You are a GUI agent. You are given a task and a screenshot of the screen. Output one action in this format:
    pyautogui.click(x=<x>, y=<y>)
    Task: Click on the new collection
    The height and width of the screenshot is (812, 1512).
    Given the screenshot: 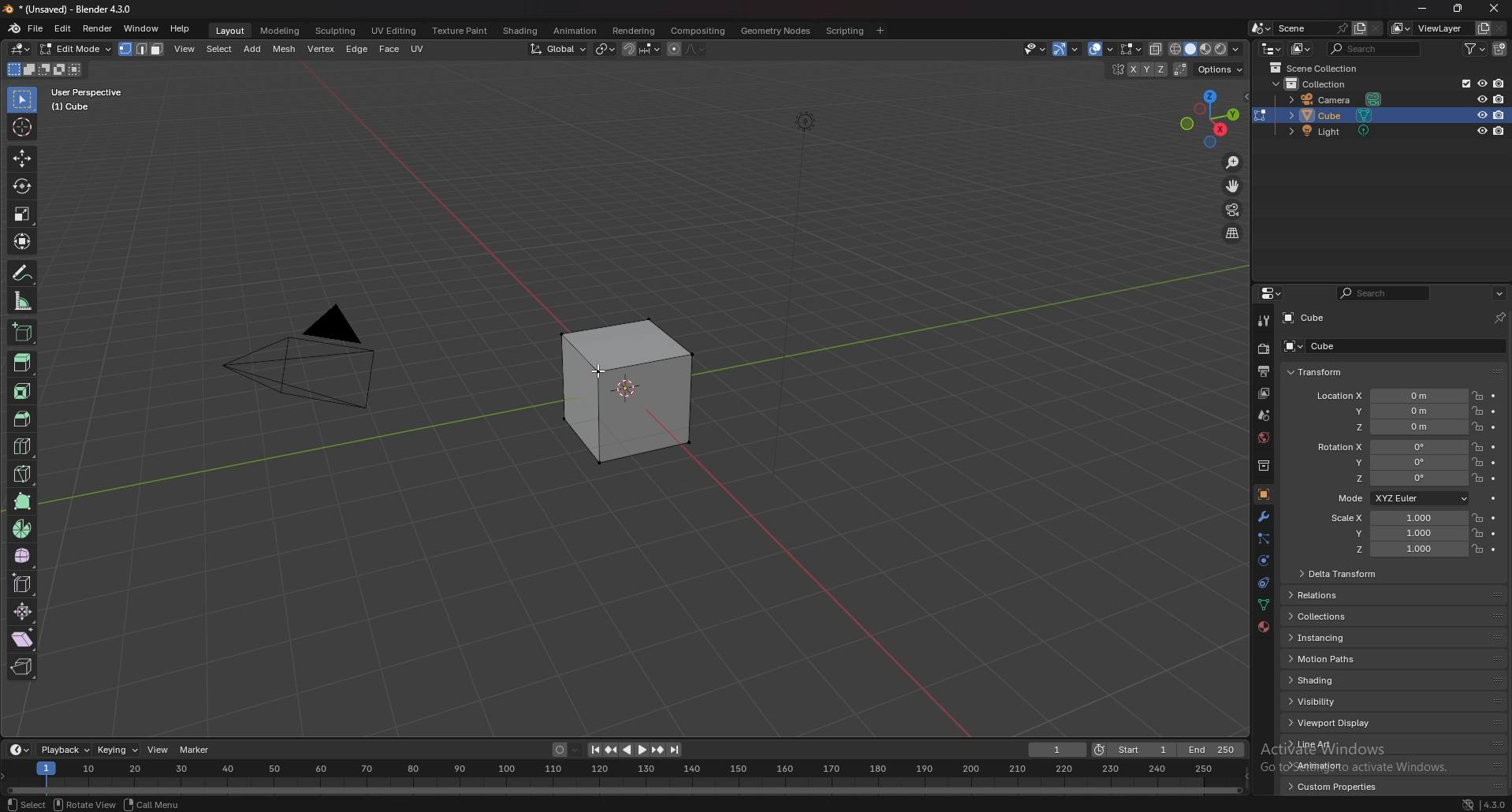 What is the action you would take?
    pyautogui.click(x=1501, y=49)
    